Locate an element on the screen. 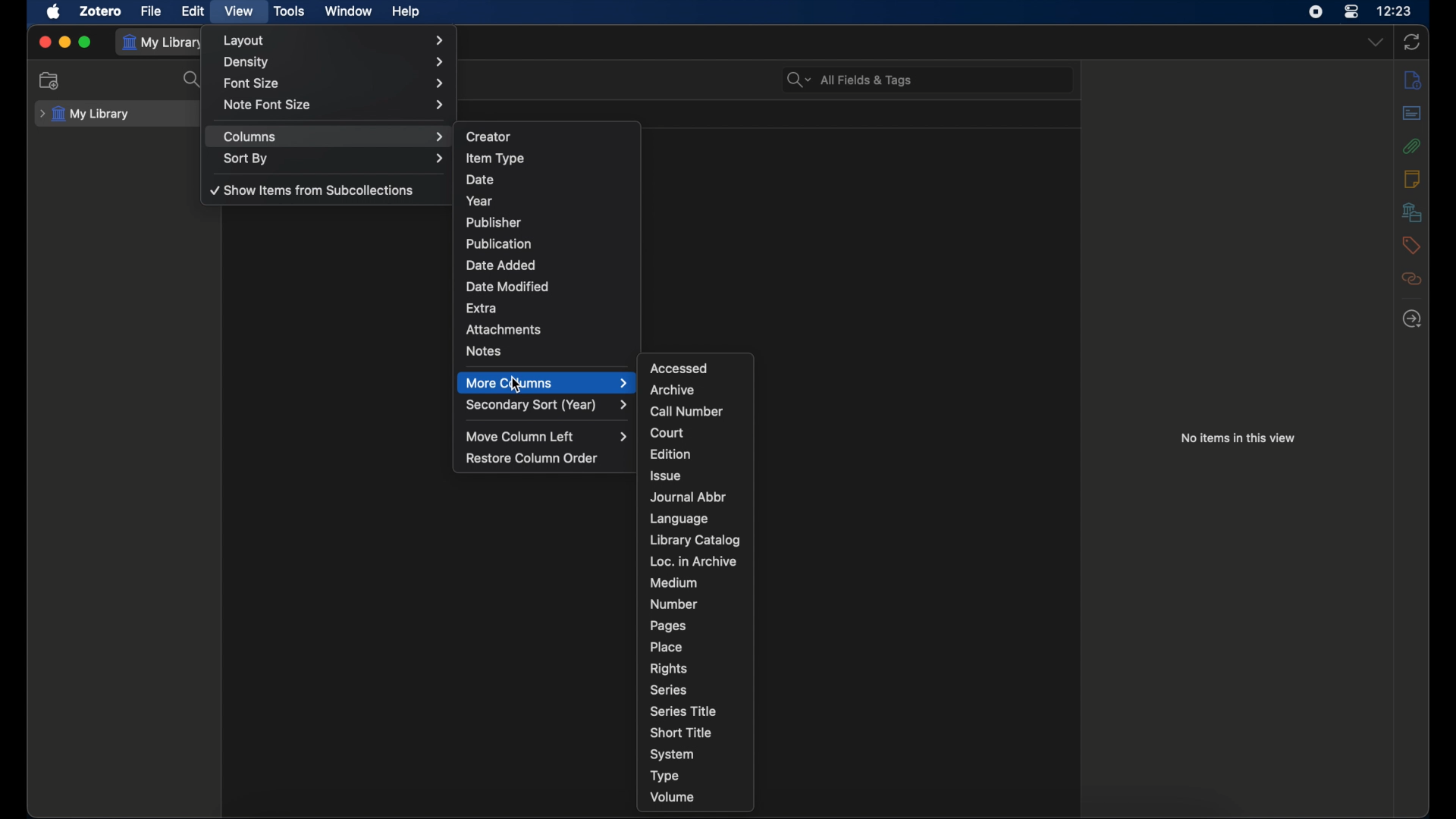 This screenshot has height=819, width=1456. extra is located at coordinates (482, 309).